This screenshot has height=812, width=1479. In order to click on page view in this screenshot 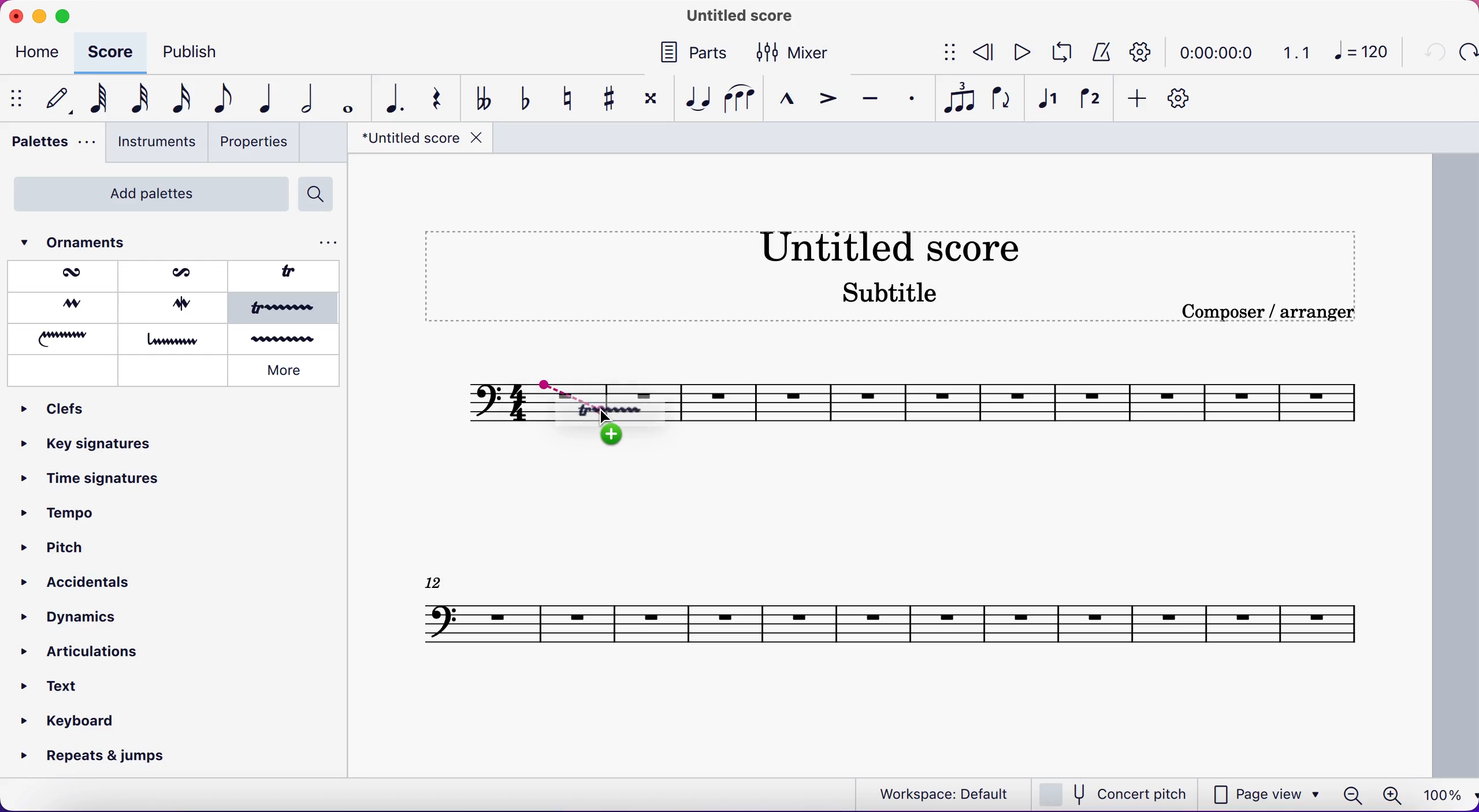, I will do `click(1268, 793)`.